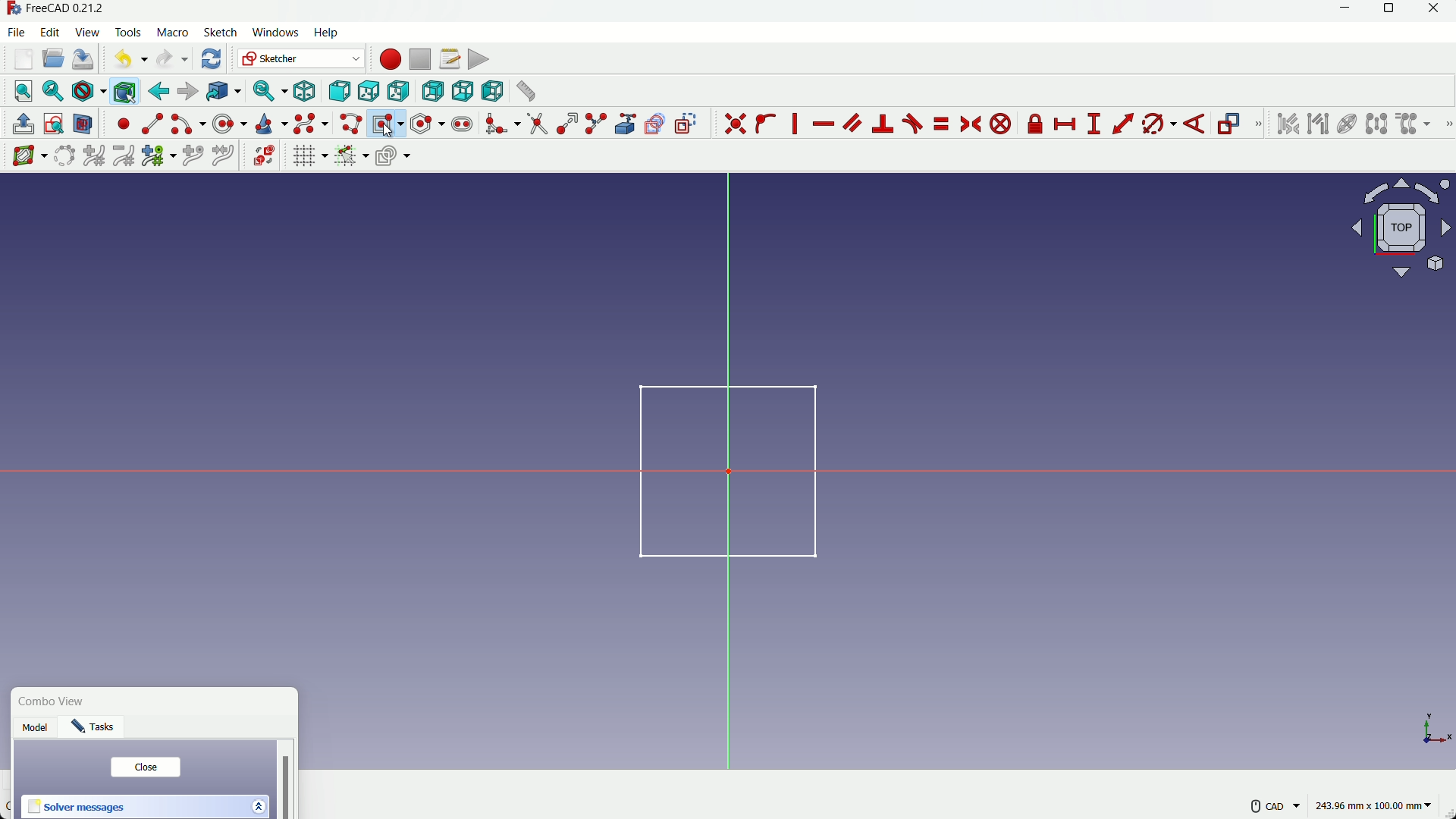 This screenshot has height=819, width=1456. I want to click on rotate or change view, so click(1402, 227).